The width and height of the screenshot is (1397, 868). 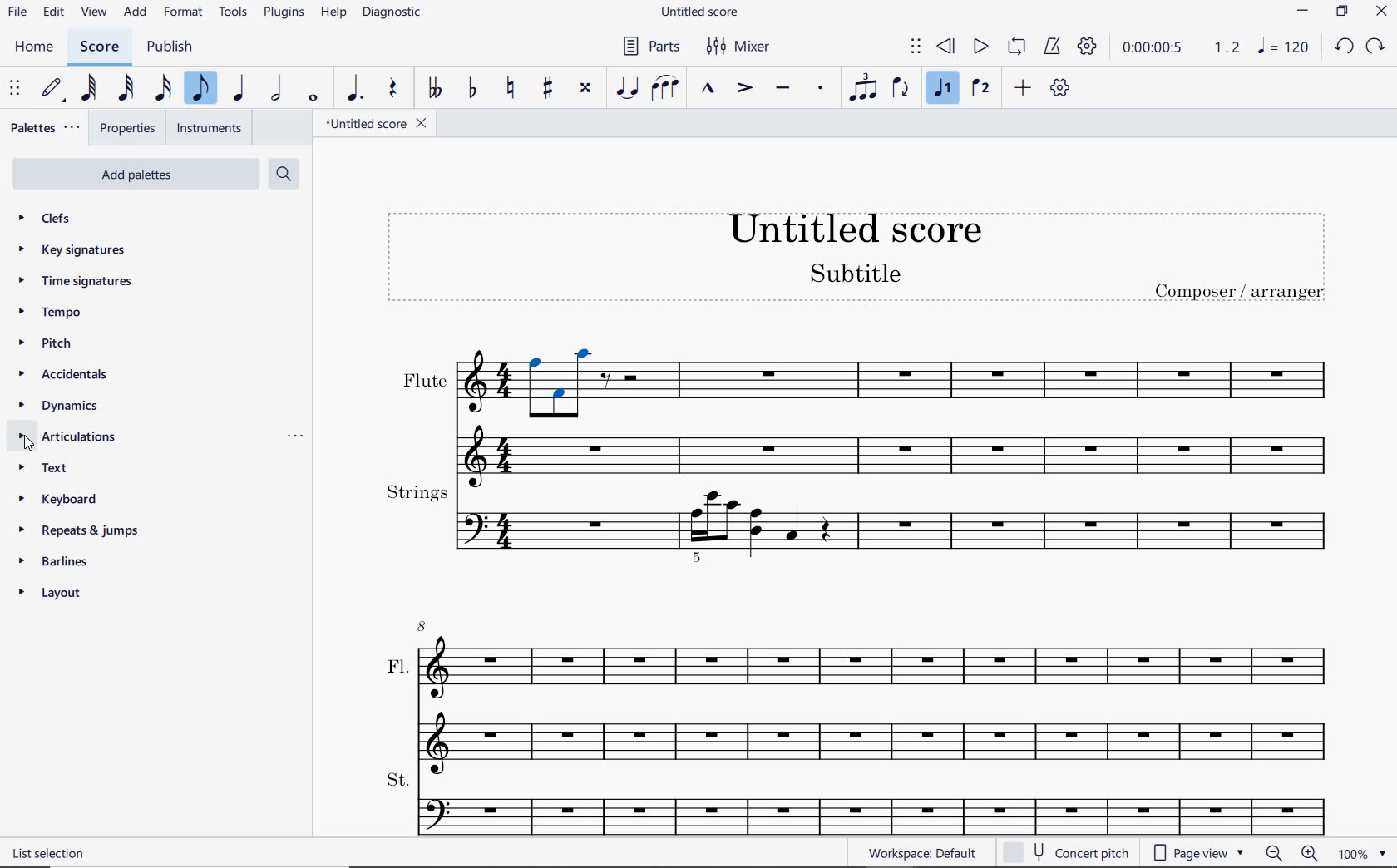 What do you see at coordinates (1282, 47) in the screenshot?
I see `note` at bounding box center [1282, 47].